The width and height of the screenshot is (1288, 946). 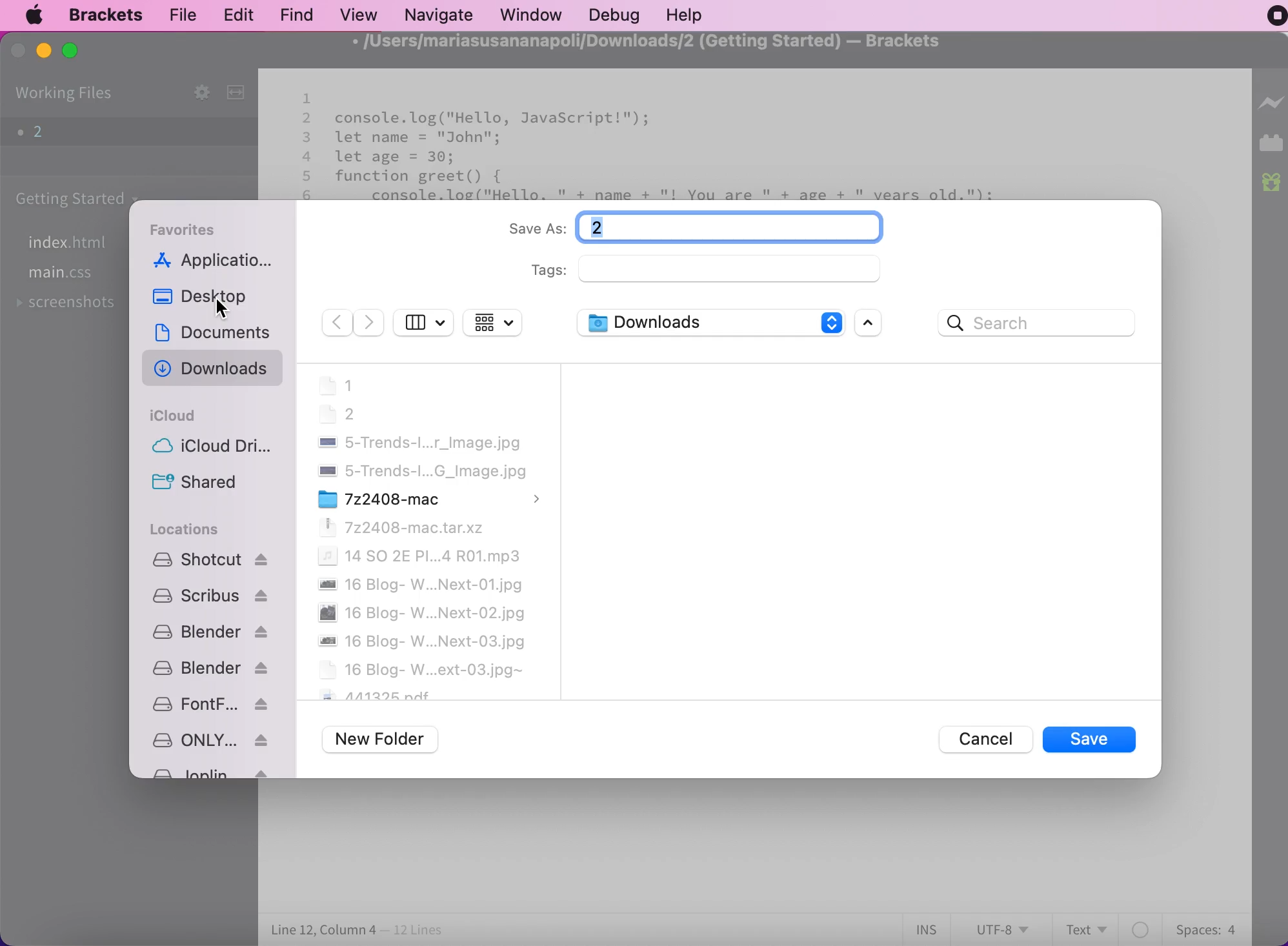 I want to click on view, so click(x=356, y=14).